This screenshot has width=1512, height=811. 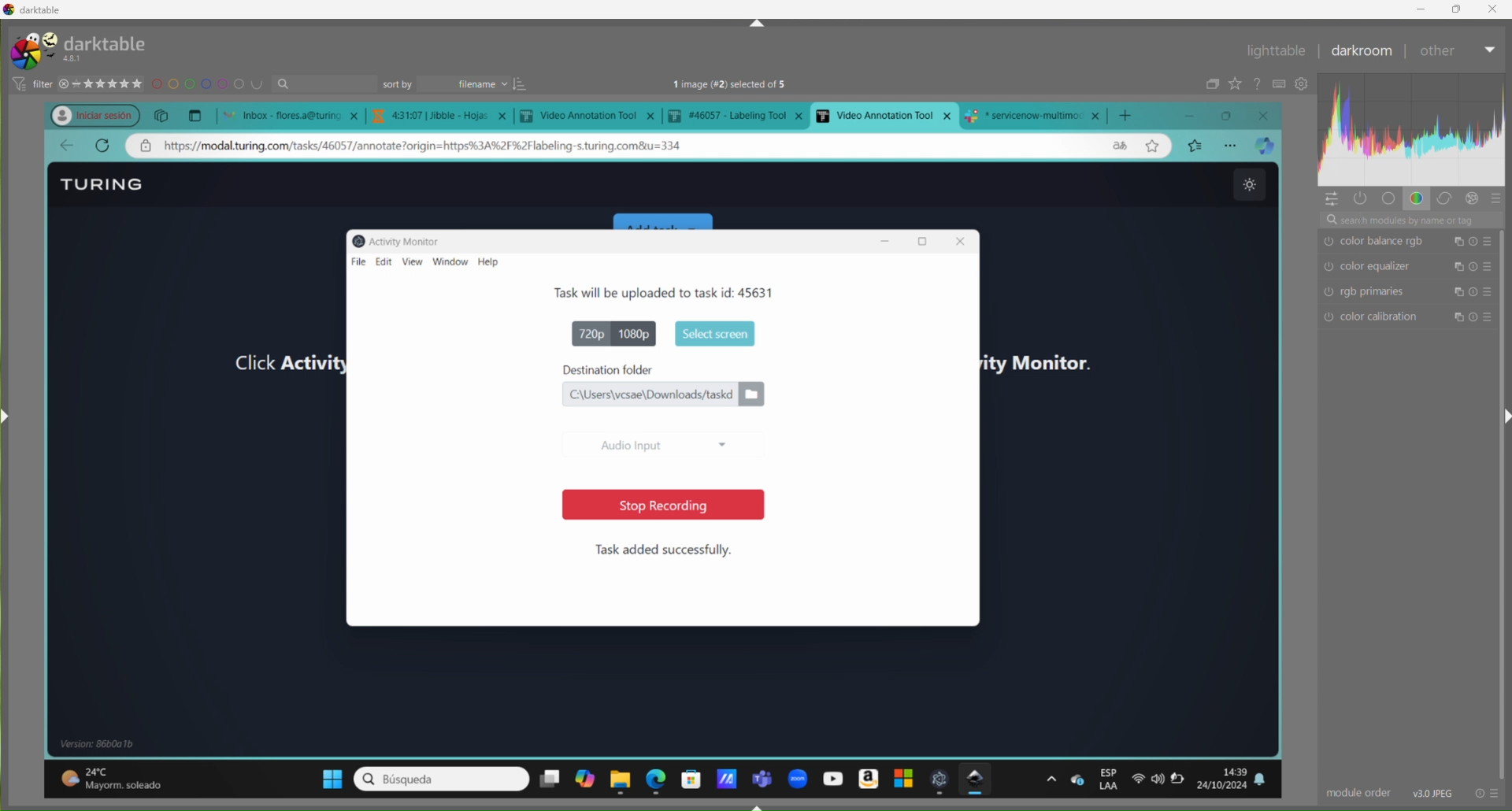 What do you see at coordinates (665, 550) in the screenshot?
I see `Task added successfully` at bounding box center [665, 550].